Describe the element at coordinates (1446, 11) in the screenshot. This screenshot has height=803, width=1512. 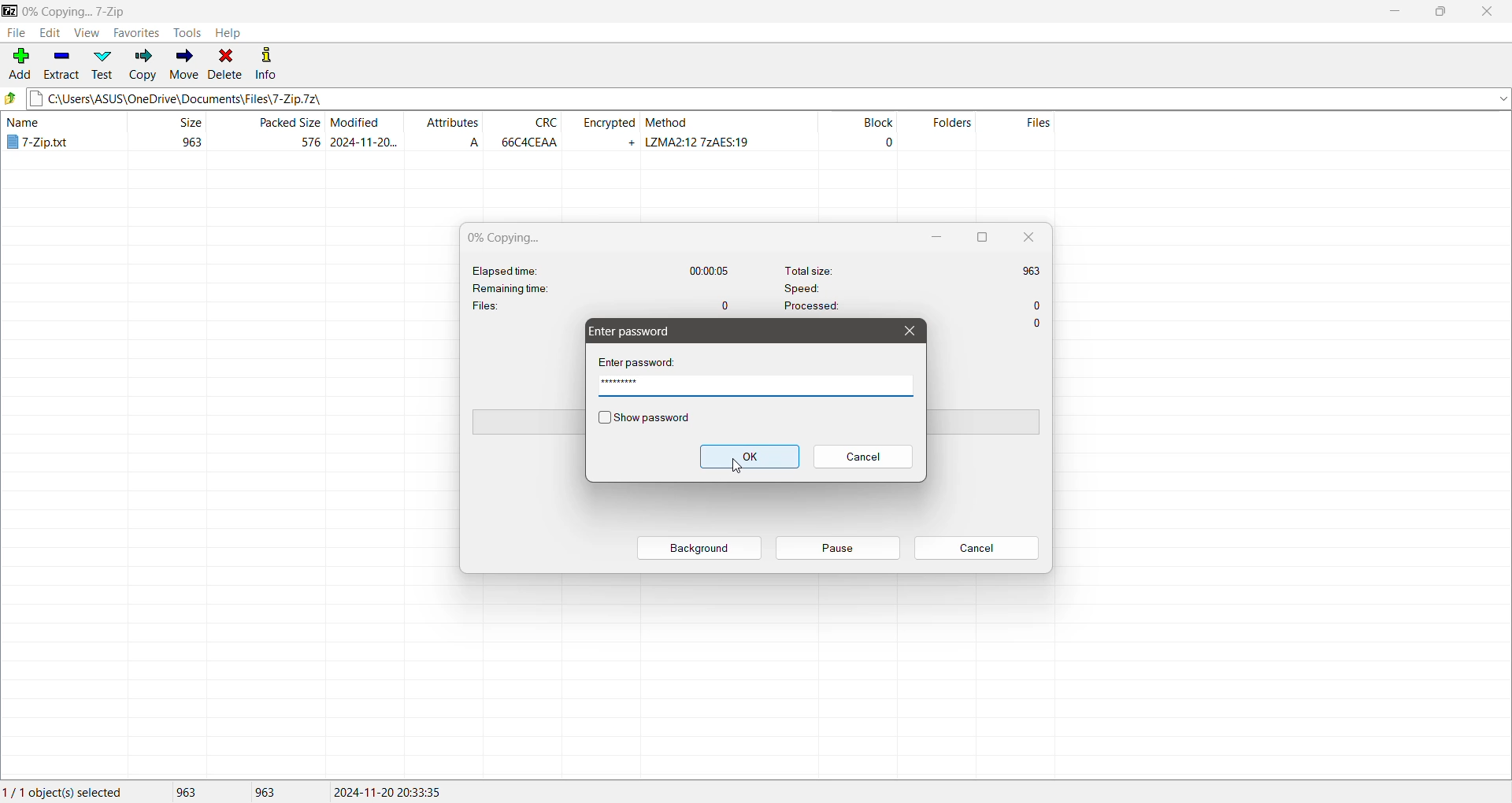
I see `Restore Down` at that location.